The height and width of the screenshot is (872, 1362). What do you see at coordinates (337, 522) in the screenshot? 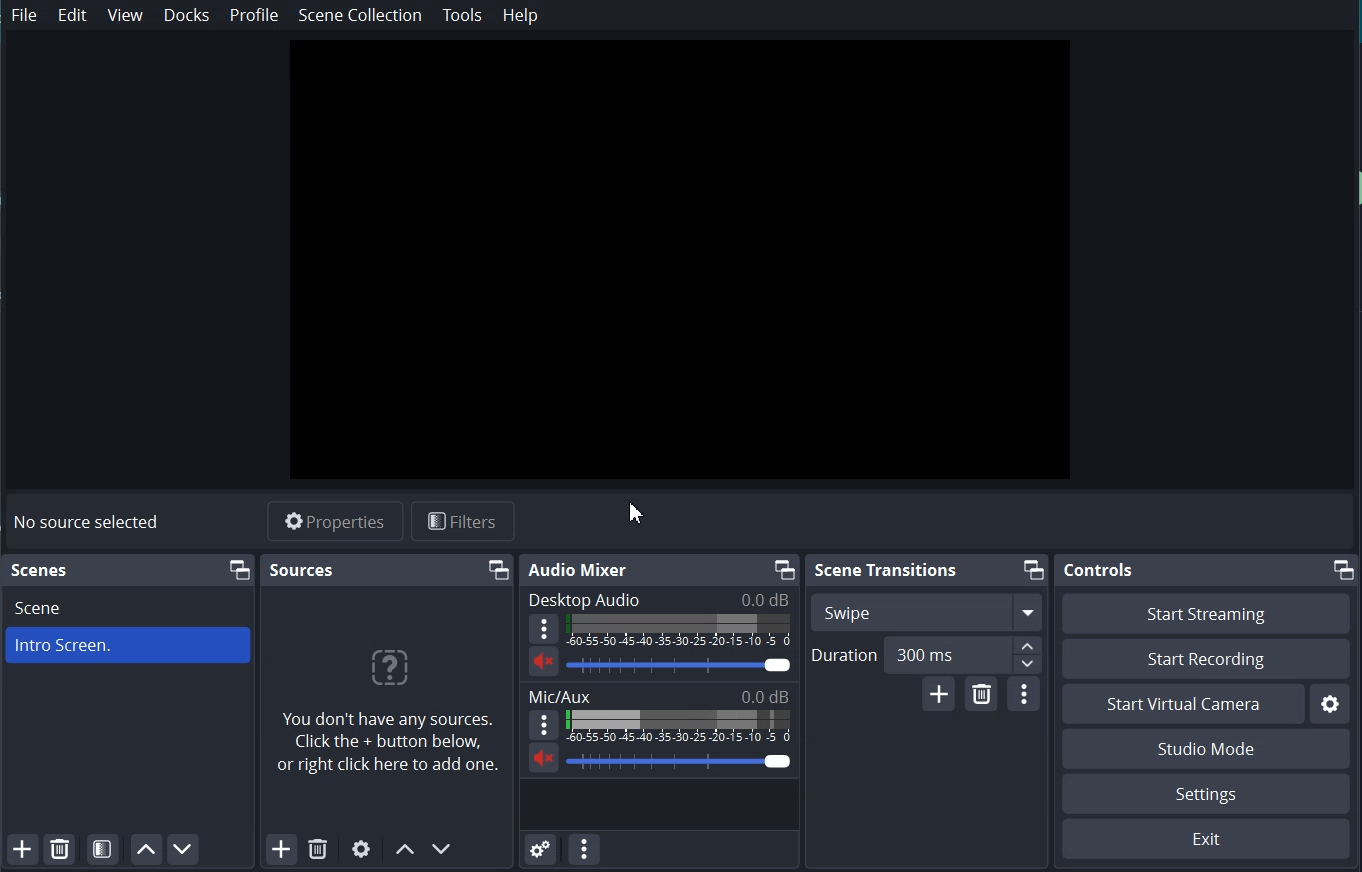
I see `Properties` at bounding box center [337, 522].